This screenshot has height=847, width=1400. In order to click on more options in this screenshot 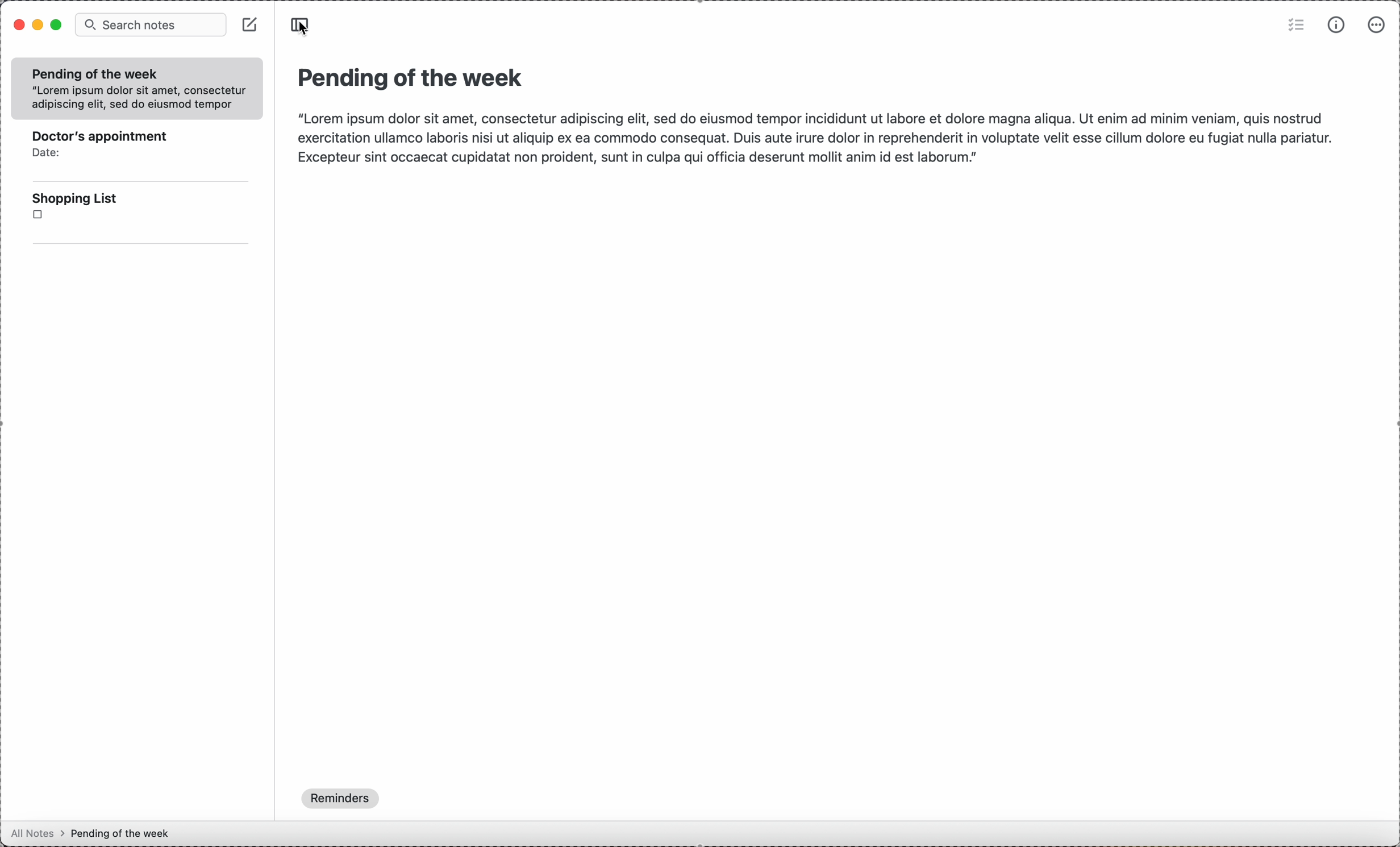, I will do `click(1377, 26)`.